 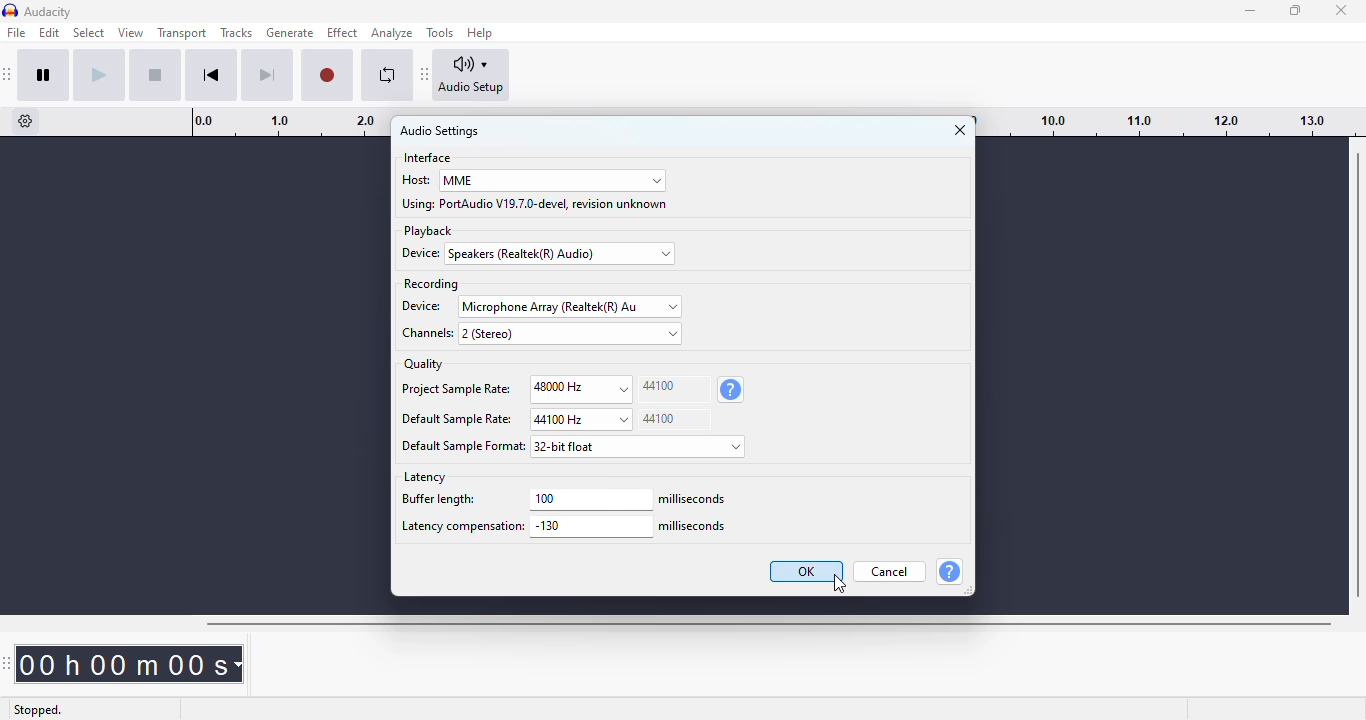 What do you see at coordinates (430, 284) in the screenshot?
I see `recording` at bounding box center [430, 284].